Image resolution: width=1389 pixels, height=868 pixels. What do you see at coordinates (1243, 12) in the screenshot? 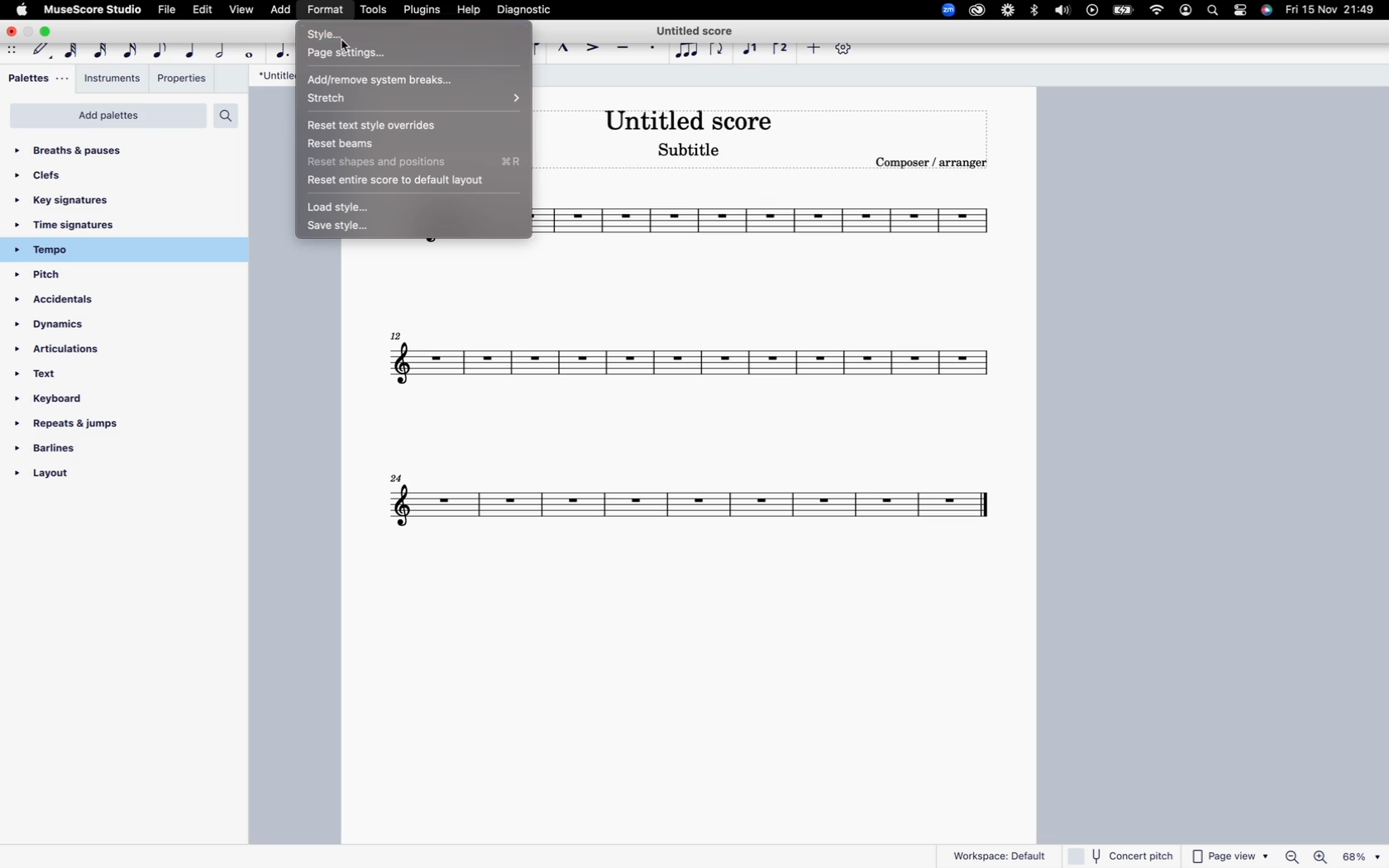
I see `settings` at bounding box center [1243, 12].